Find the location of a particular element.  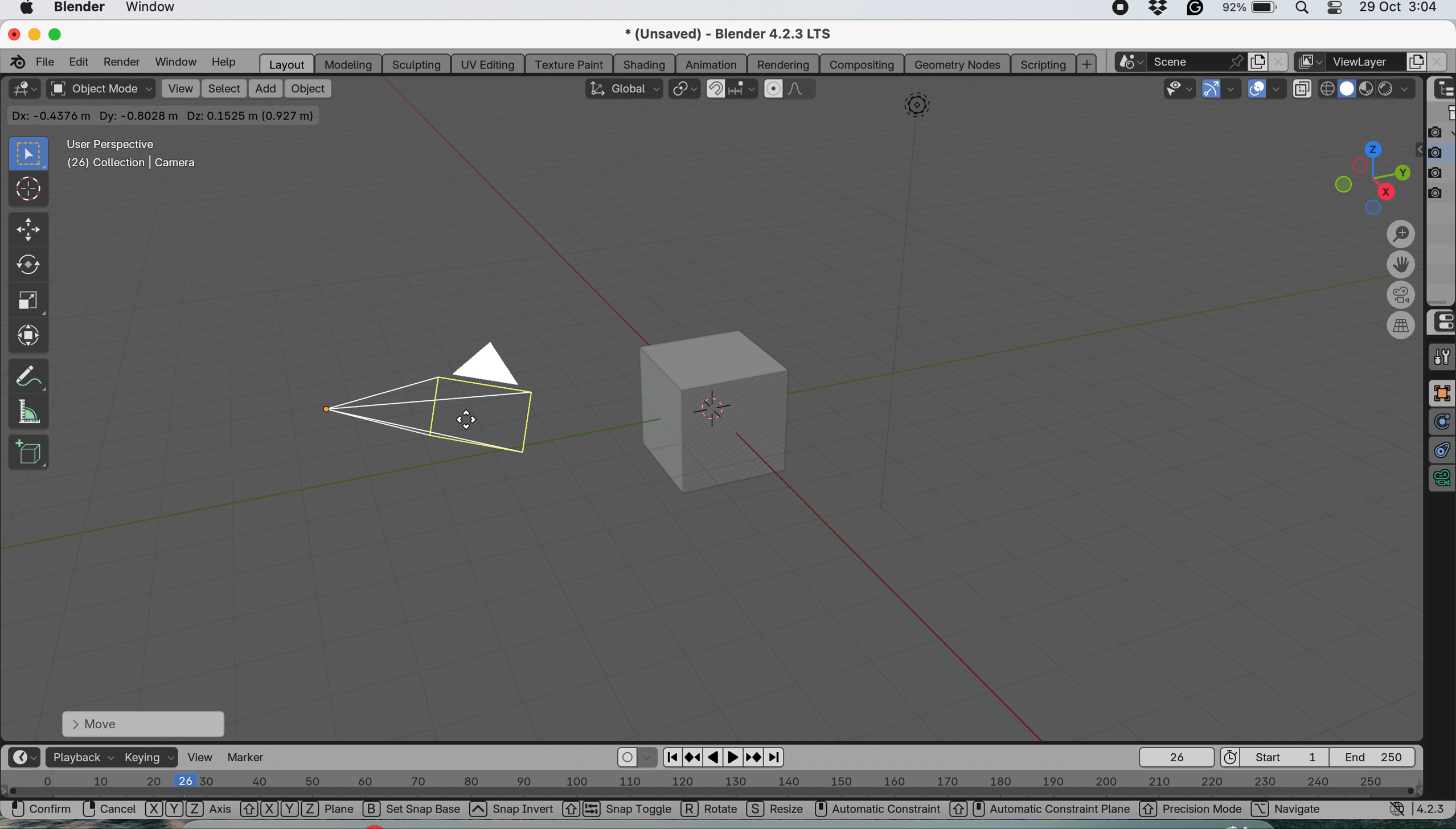

pause is located at coordinates (715, 758).